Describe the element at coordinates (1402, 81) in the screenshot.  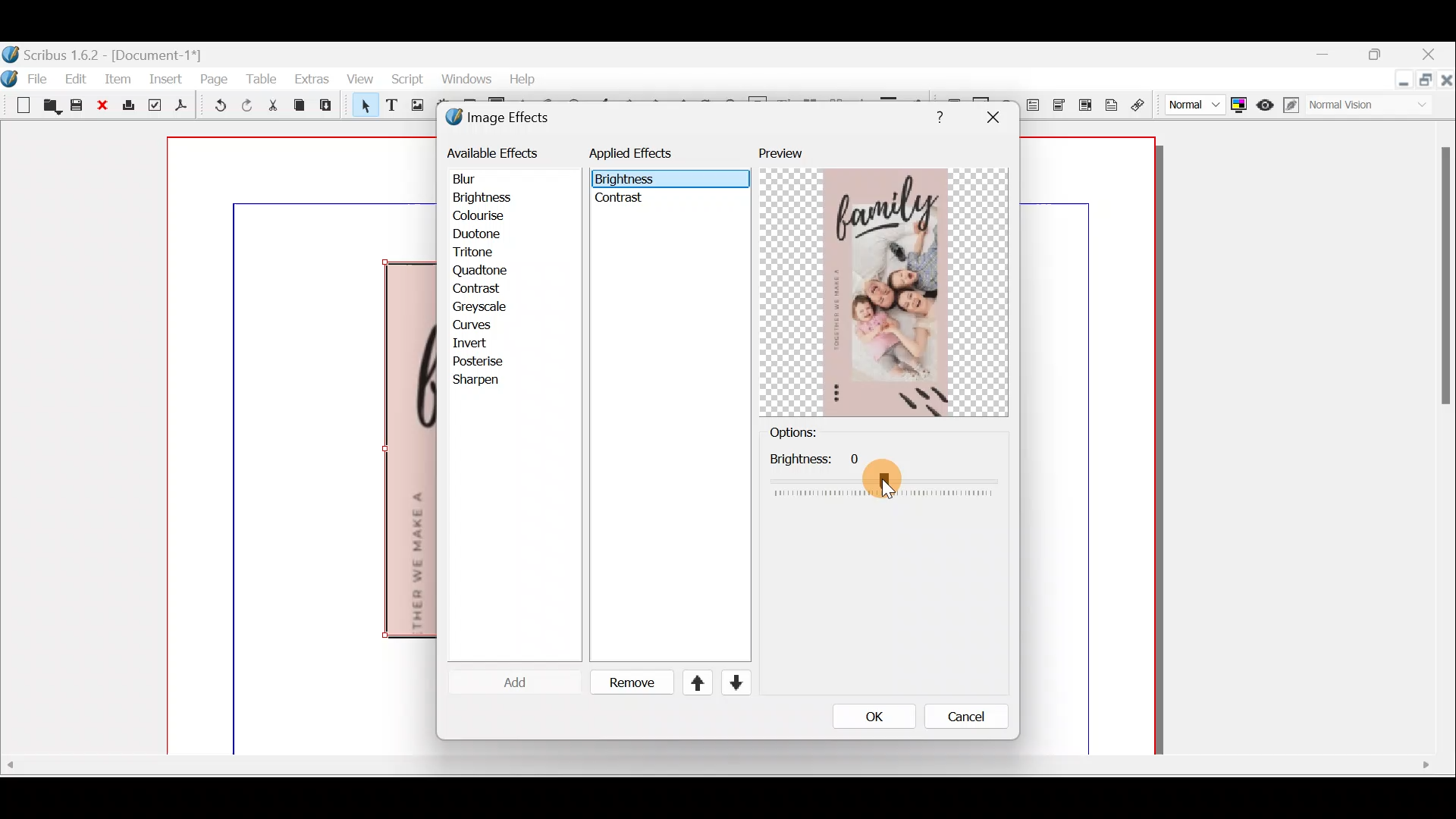
I see `Minimise` at that location.